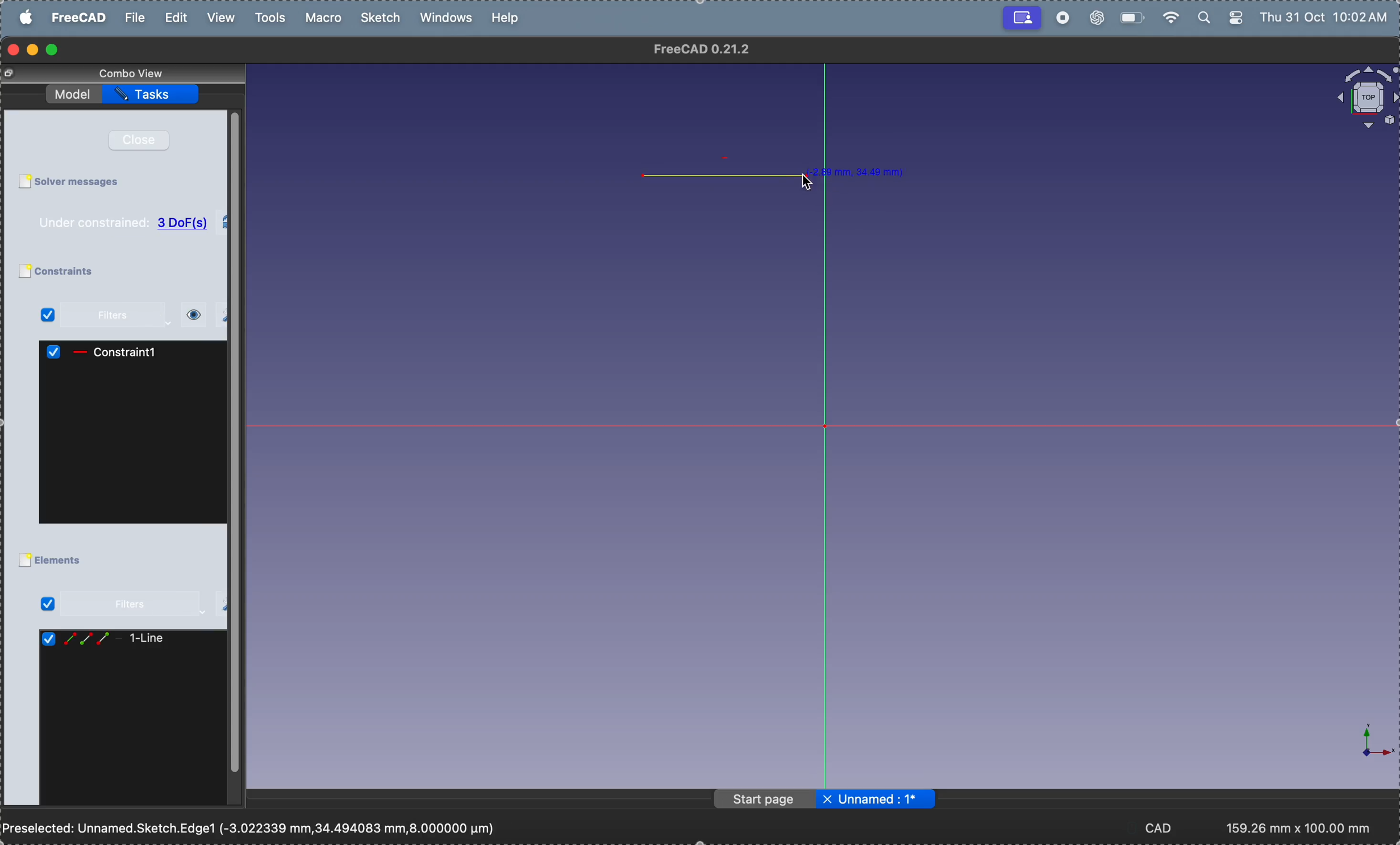 This screenshot has height=845, width=1400. What do you see at coordinates (87, 641) in the screenshot?
I see `line icons` at bounding box center [87, 641].